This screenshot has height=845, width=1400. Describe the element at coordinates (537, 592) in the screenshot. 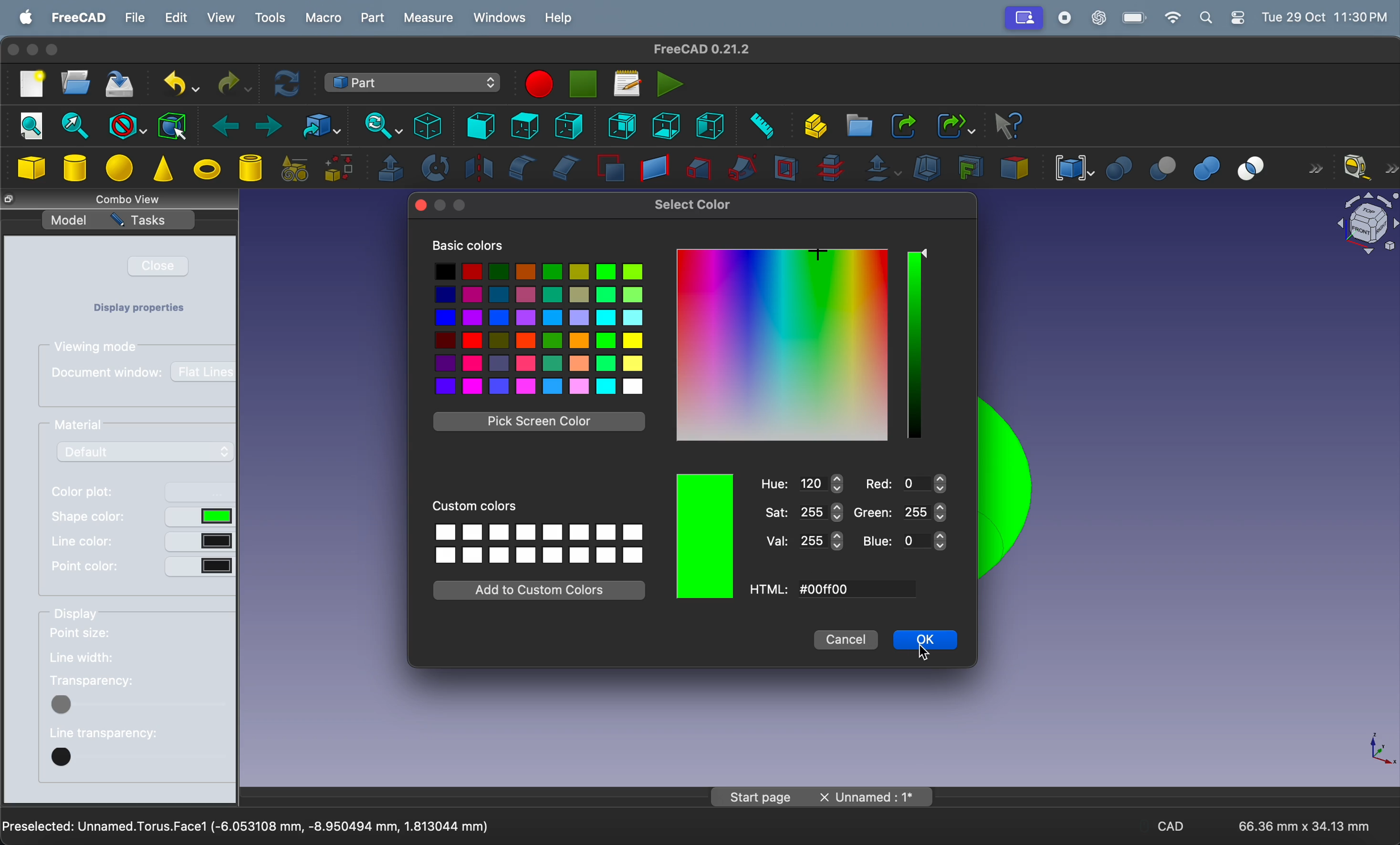

I see `Add to custom colors` at that location.